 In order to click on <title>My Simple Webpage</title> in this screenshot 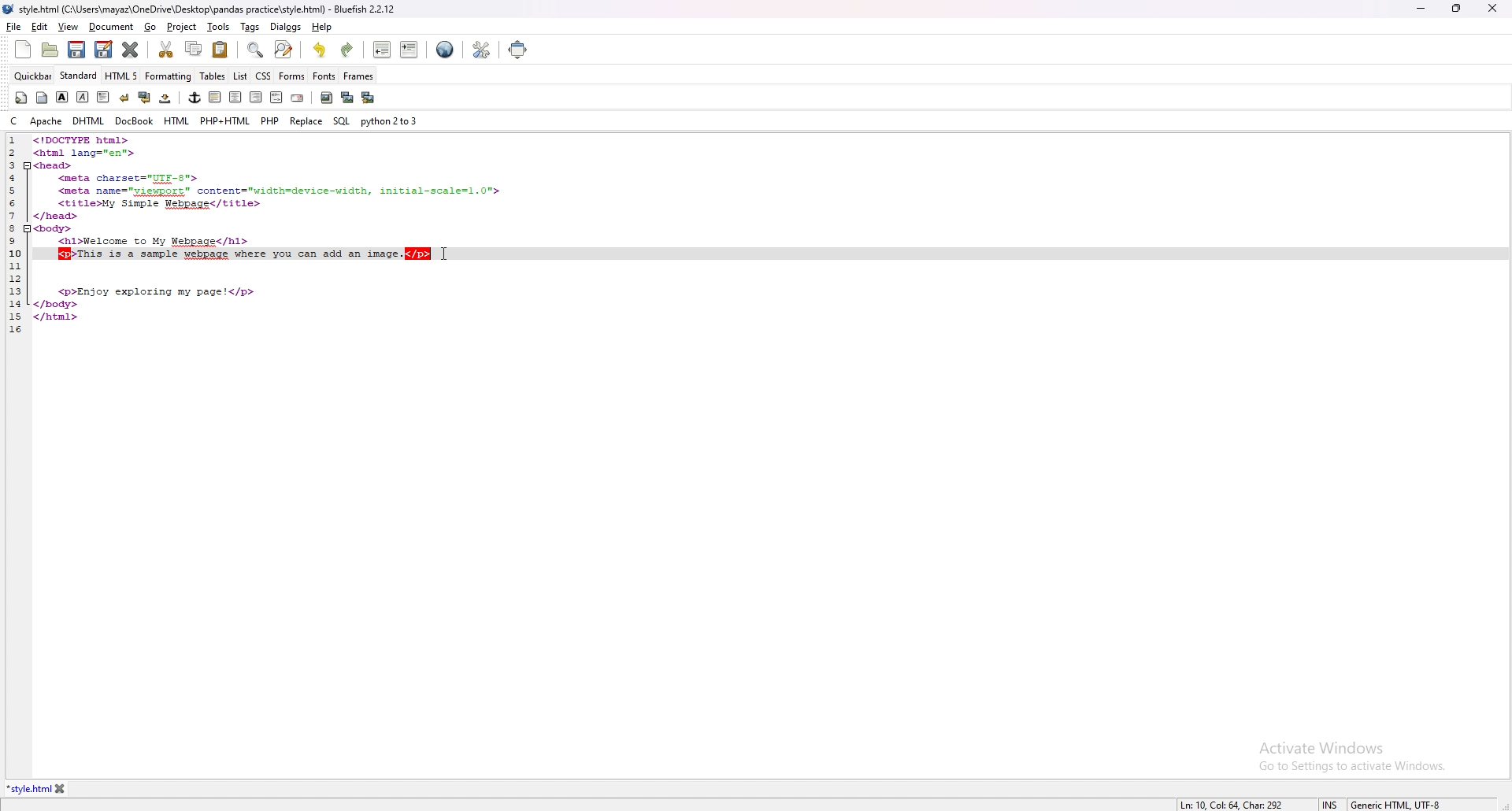, I will do `click(161, 204)`.